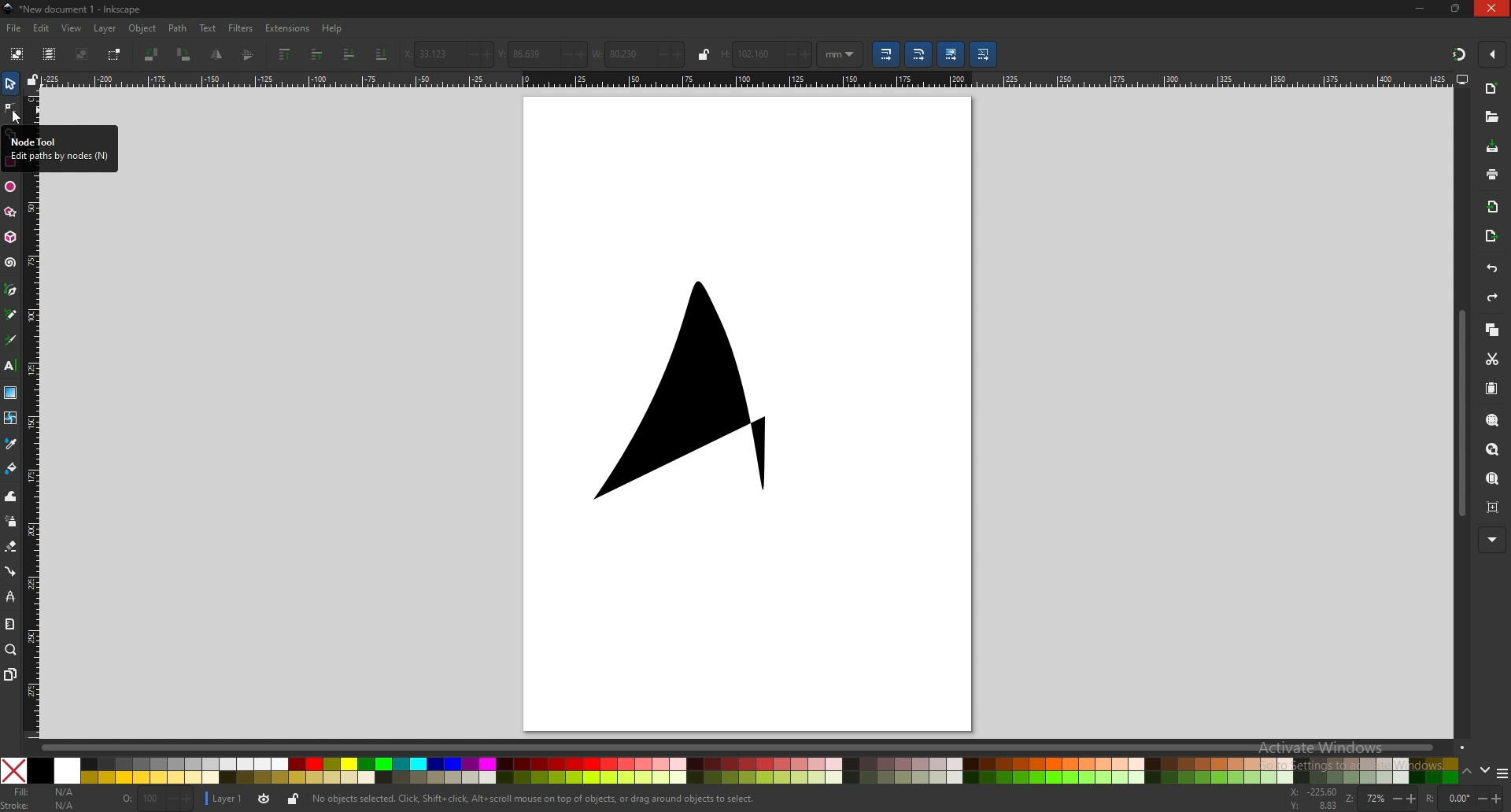  What do you see at coordinates (12, 213) in the screenshot?
I see `star` at bounding box center [12, 213].